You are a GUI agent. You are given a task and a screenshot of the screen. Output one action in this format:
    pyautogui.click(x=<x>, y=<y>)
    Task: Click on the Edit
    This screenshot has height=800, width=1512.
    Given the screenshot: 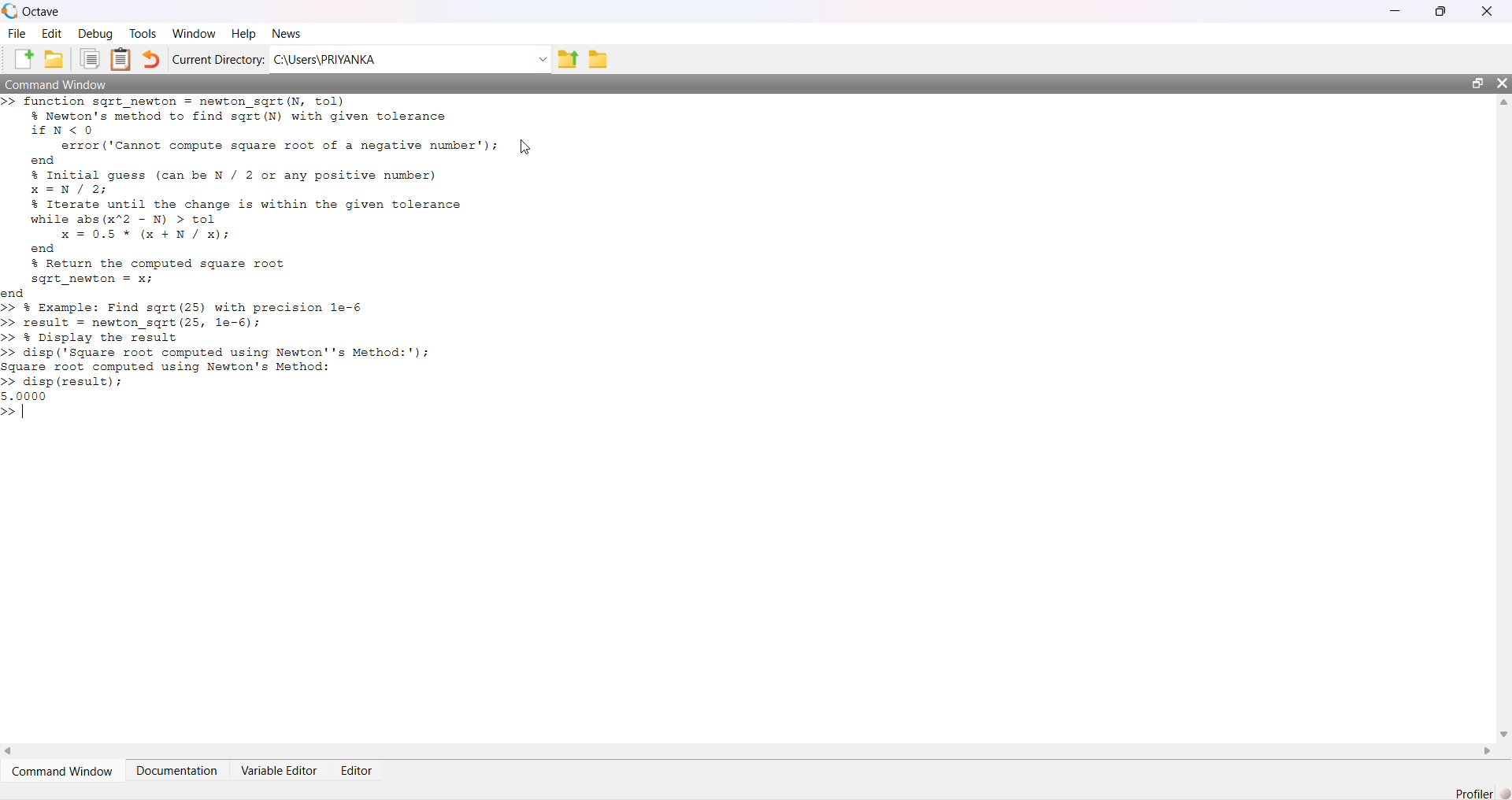 What is the action you would take?
    pyautogui.click(x=52, y=34)
    